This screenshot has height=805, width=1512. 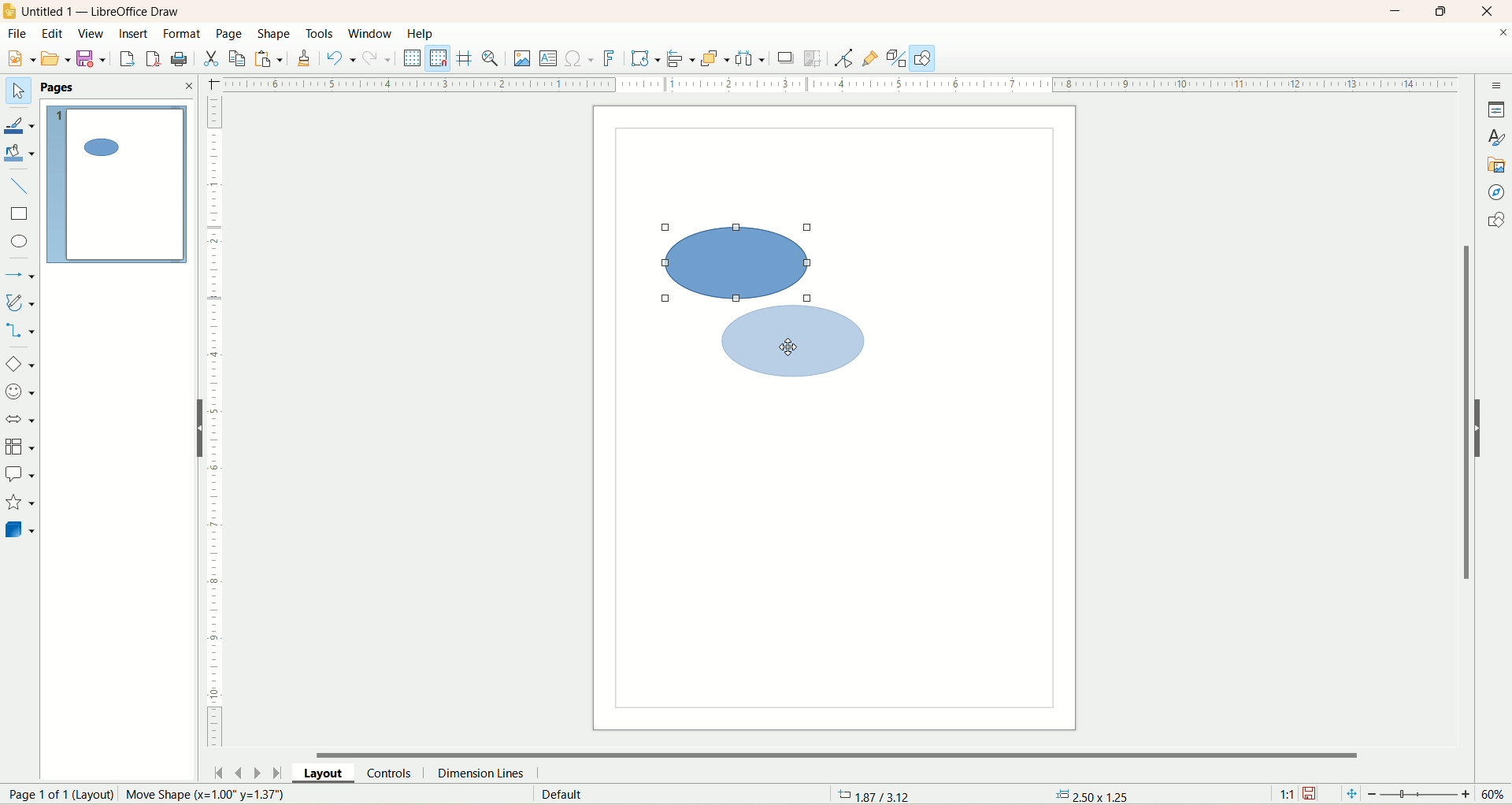 I want to click on export, so click(x=128, y=55).